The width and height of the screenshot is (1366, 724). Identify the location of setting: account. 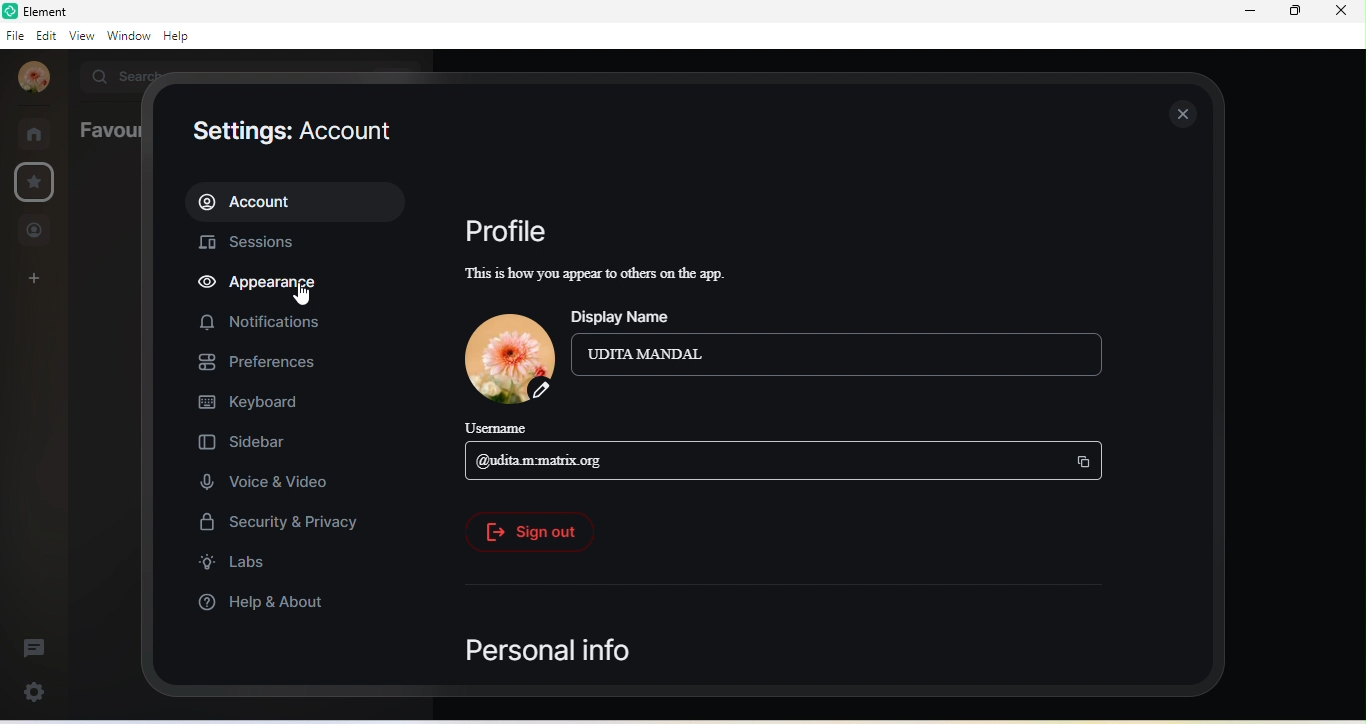
(293, 133).